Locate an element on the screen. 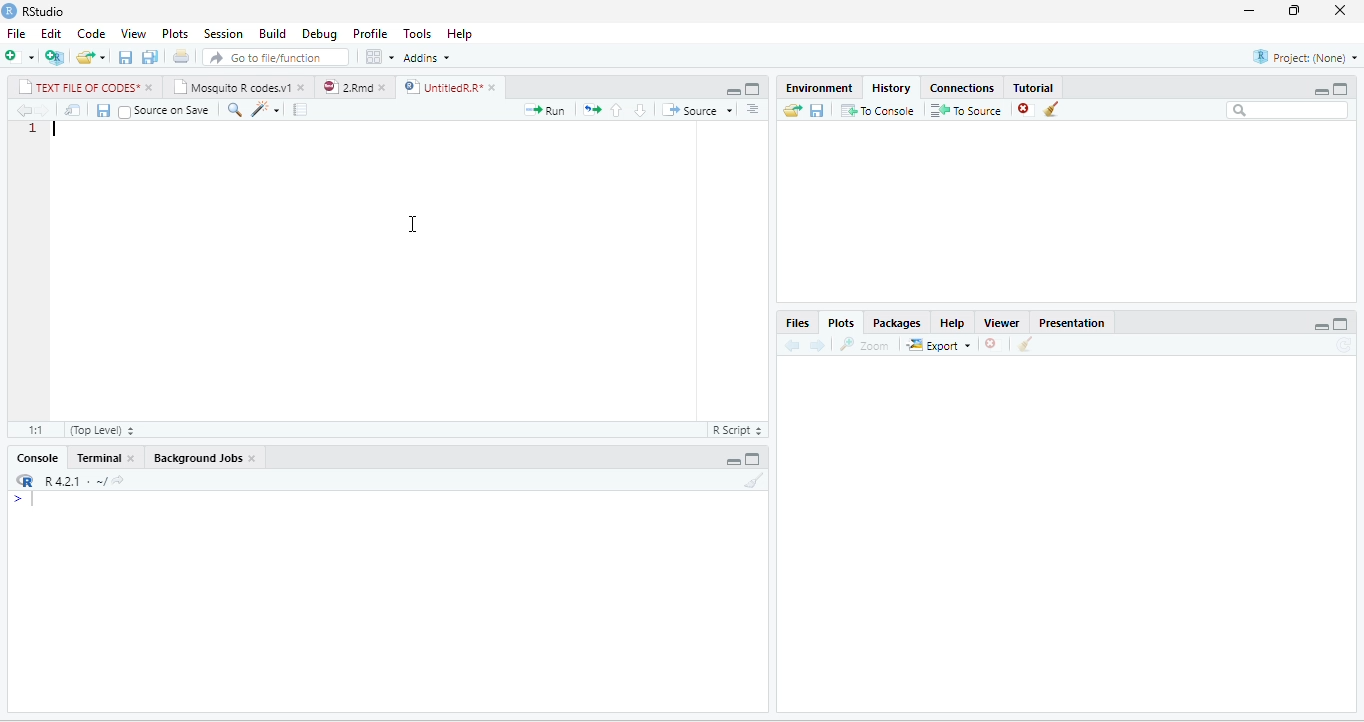 The height and width of the screenshot is (722, 1364). Source is located at coordinates (698, 110).